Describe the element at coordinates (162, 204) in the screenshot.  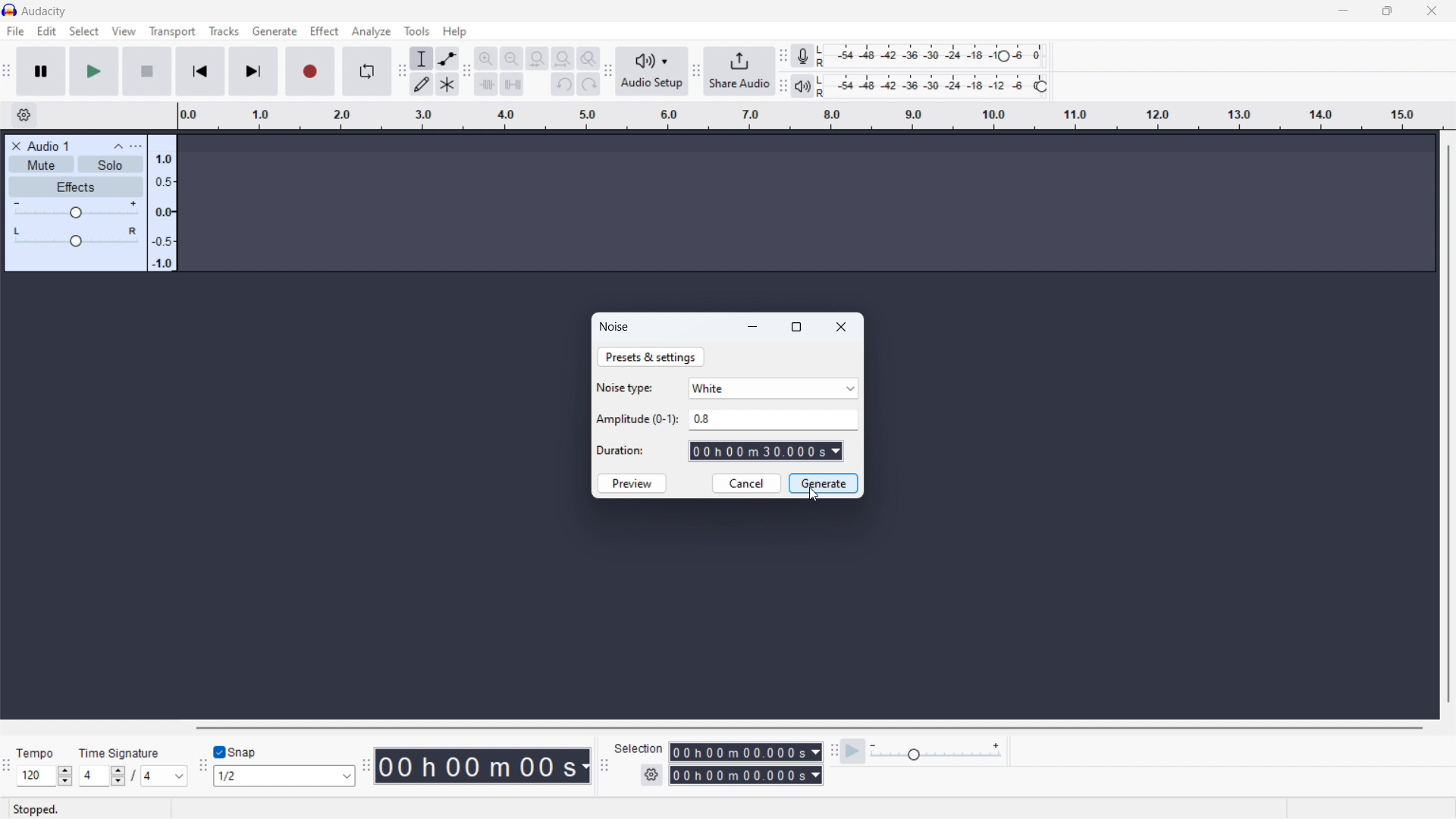
I see `amplitude` at that location.